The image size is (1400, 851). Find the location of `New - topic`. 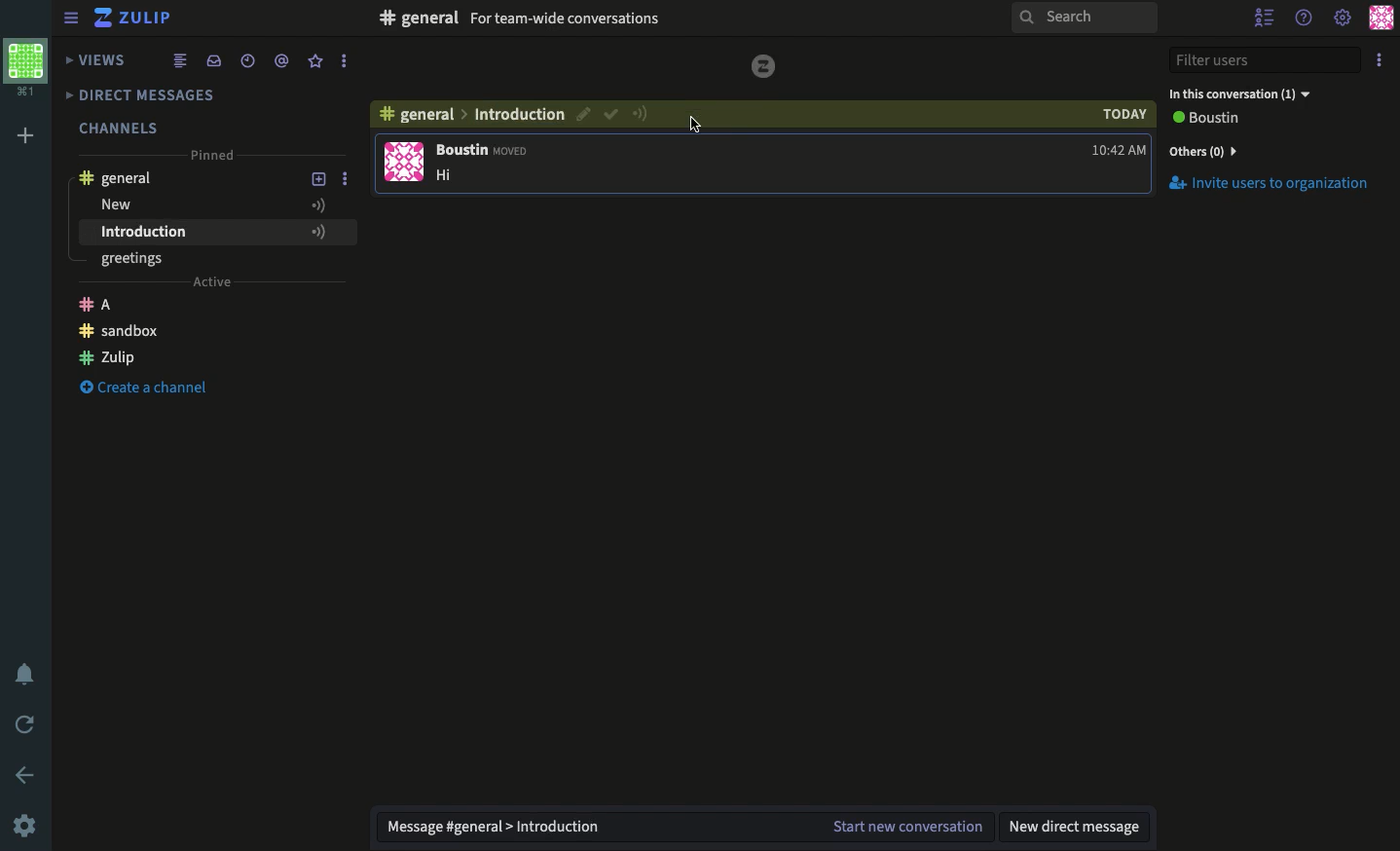

New - topic is located at coordinates (194, 205).